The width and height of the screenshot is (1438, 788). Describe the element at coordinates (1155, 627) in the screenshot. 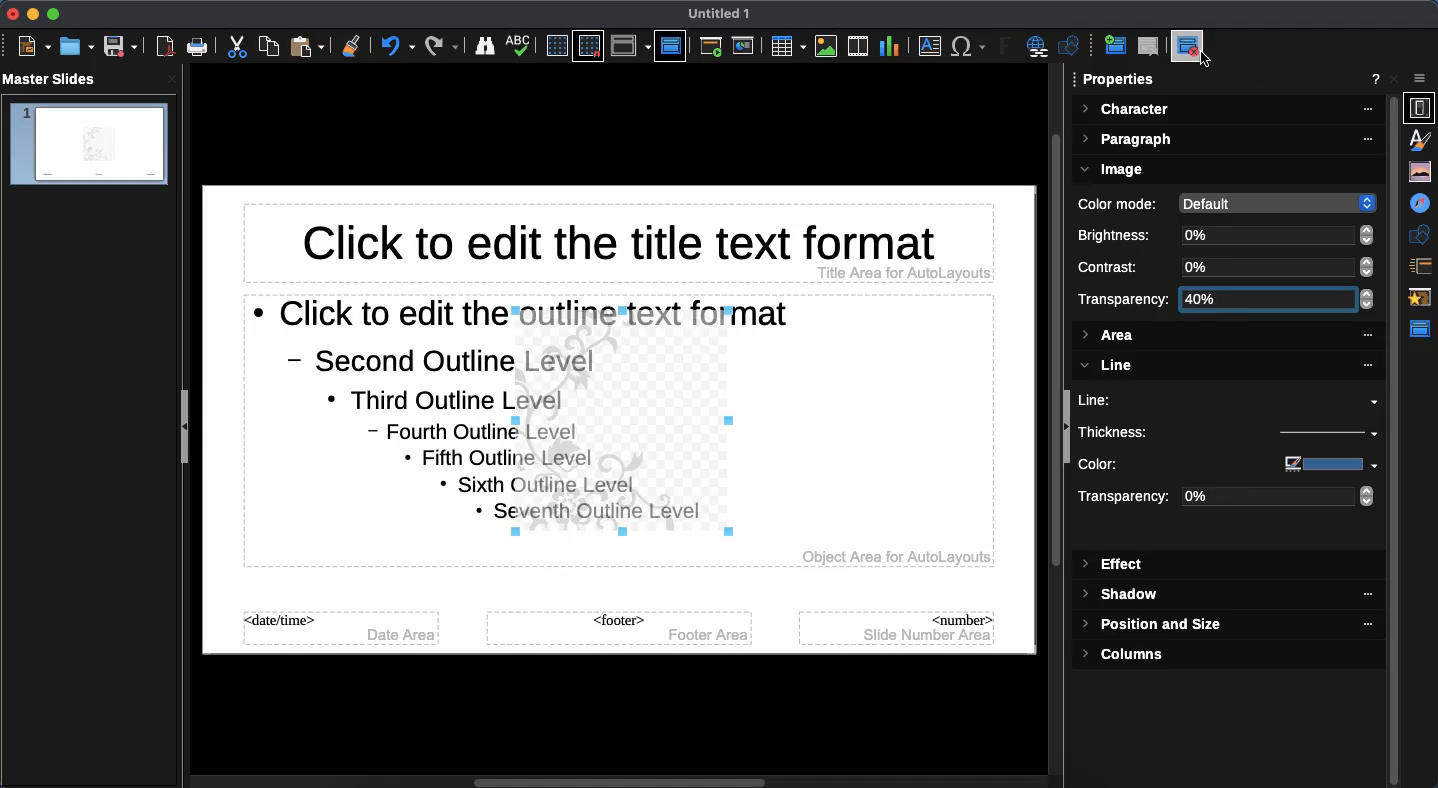

I see `Position and size` at that location.